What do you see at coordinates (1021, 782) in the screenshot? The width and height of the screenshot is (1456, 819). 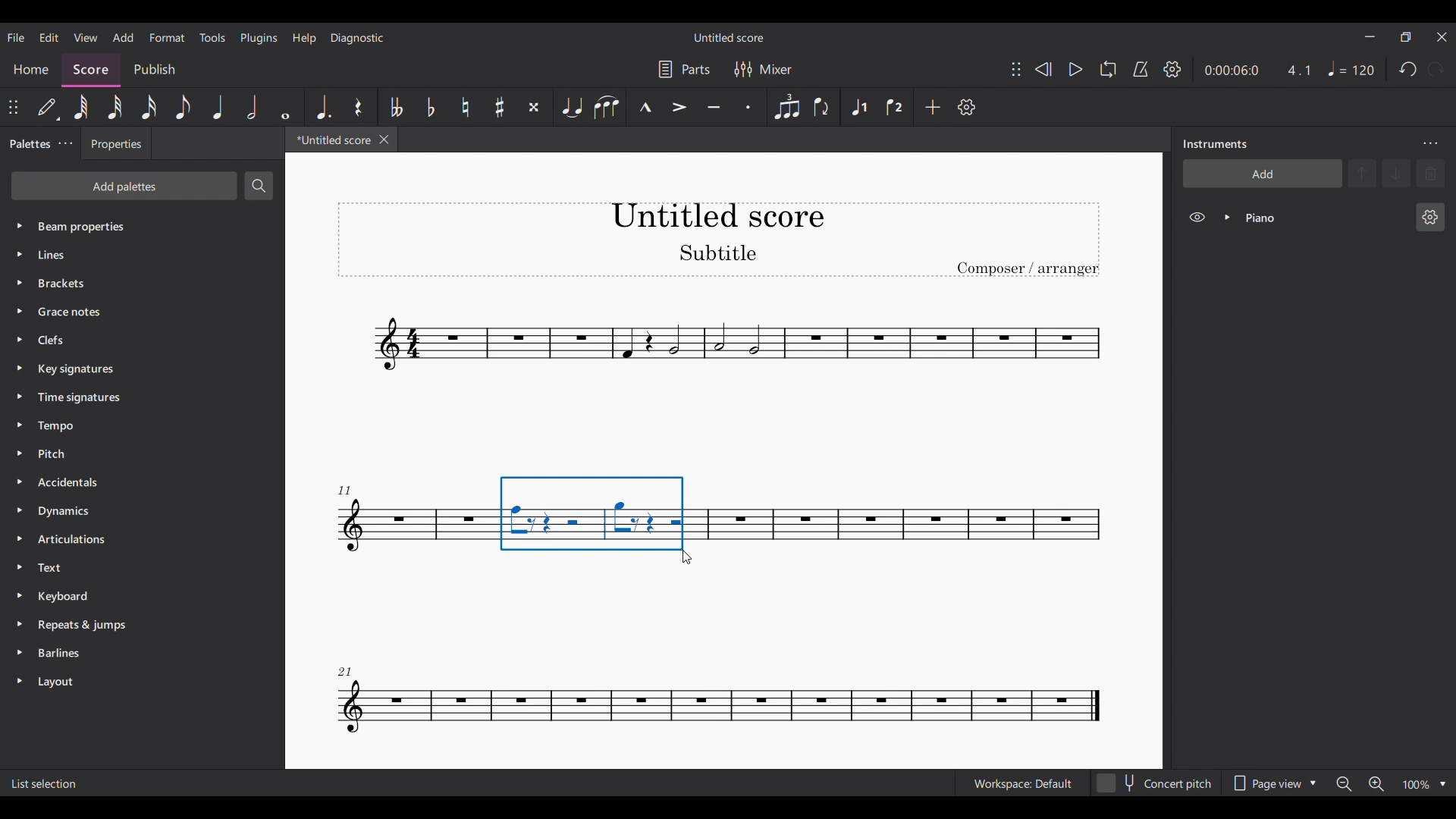 I see `Workspace default` at bounding box center [1021, 782].